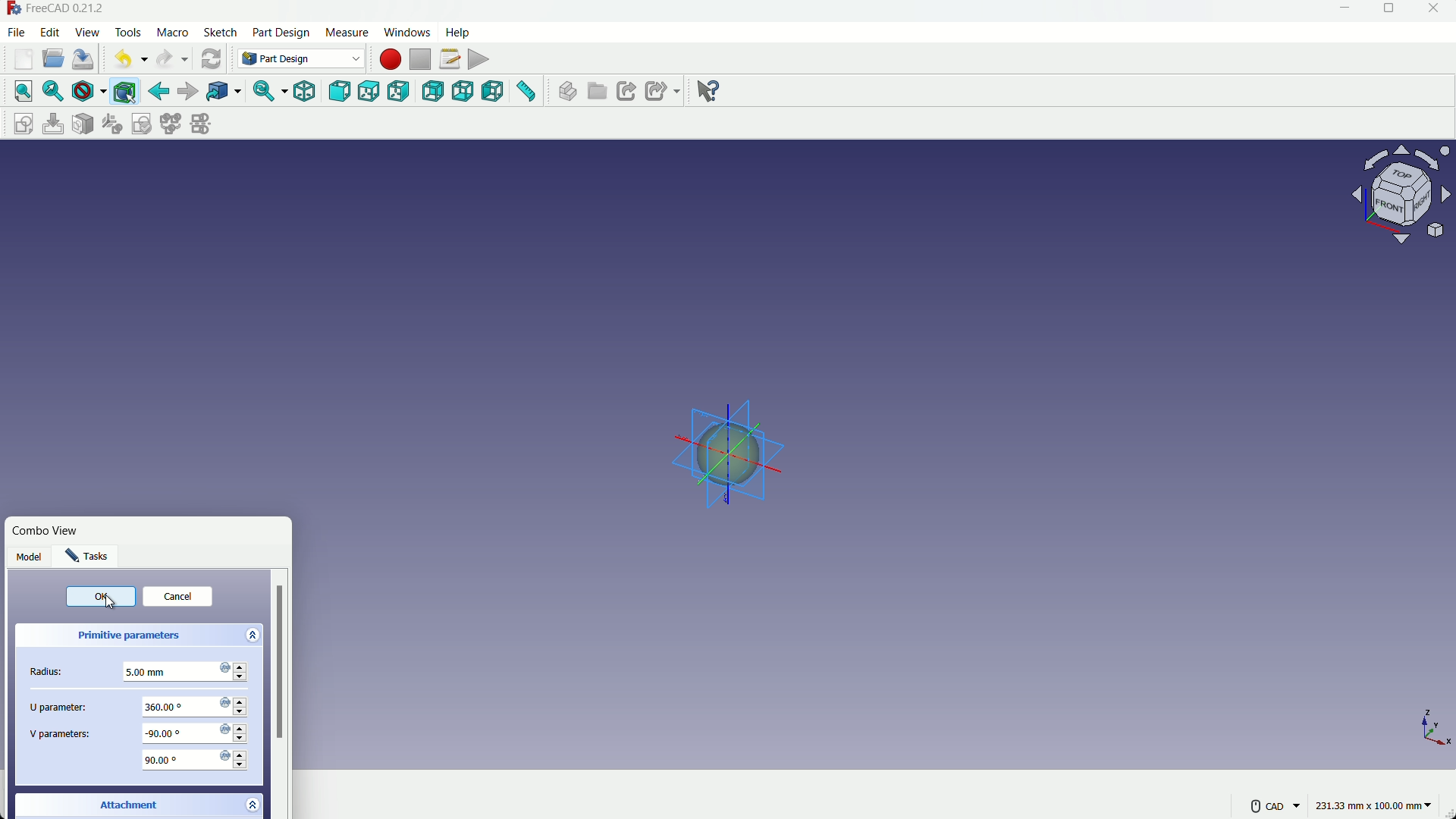  I want to click on view menu, so click(87, 31).